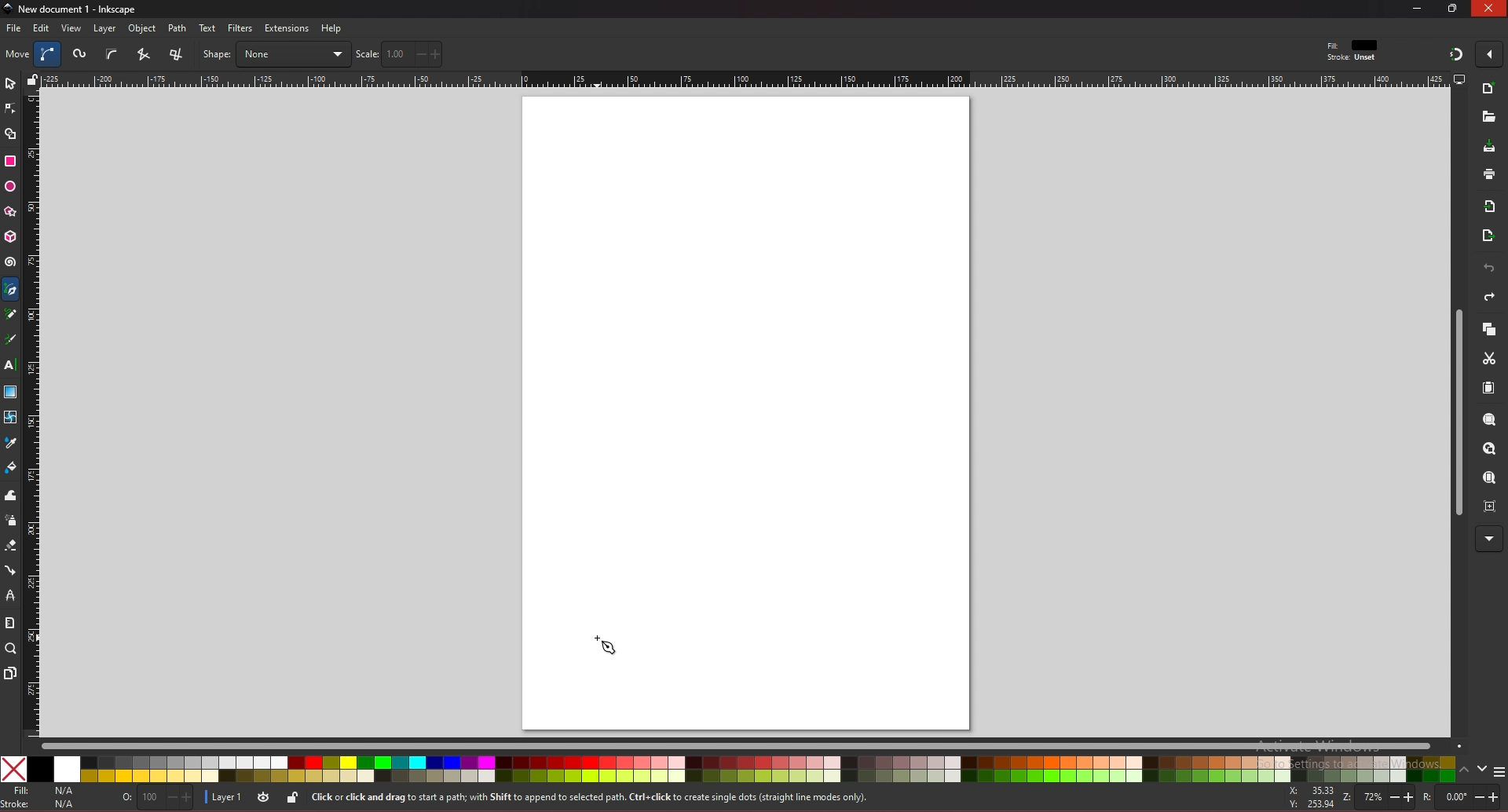 Image resolution: width=1508 pixels, height=812 pixels. I want to click on title, so click(72, 8).